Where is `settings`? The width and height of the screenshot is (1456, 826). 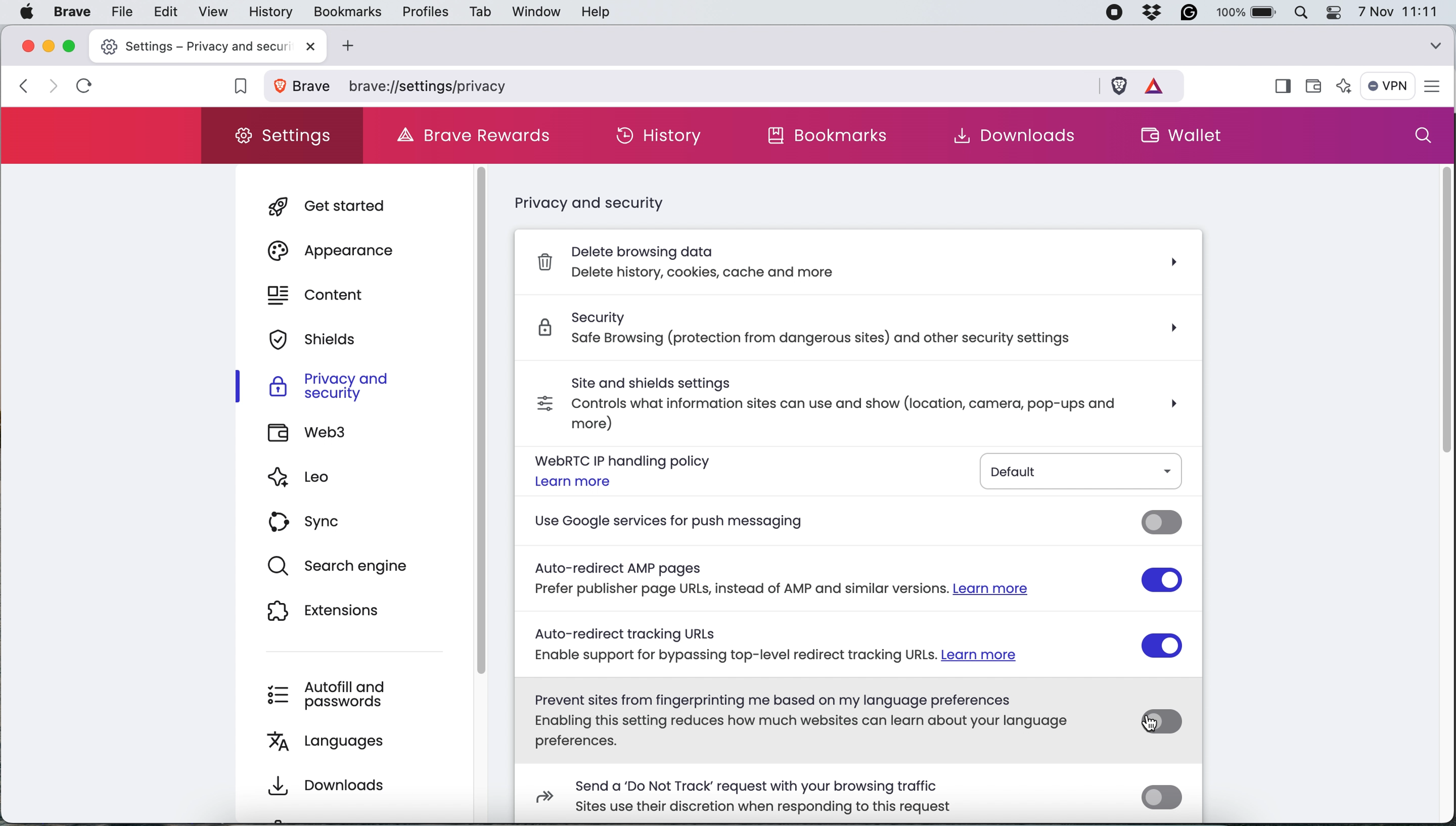
settings is located at coordinates (285, 135).